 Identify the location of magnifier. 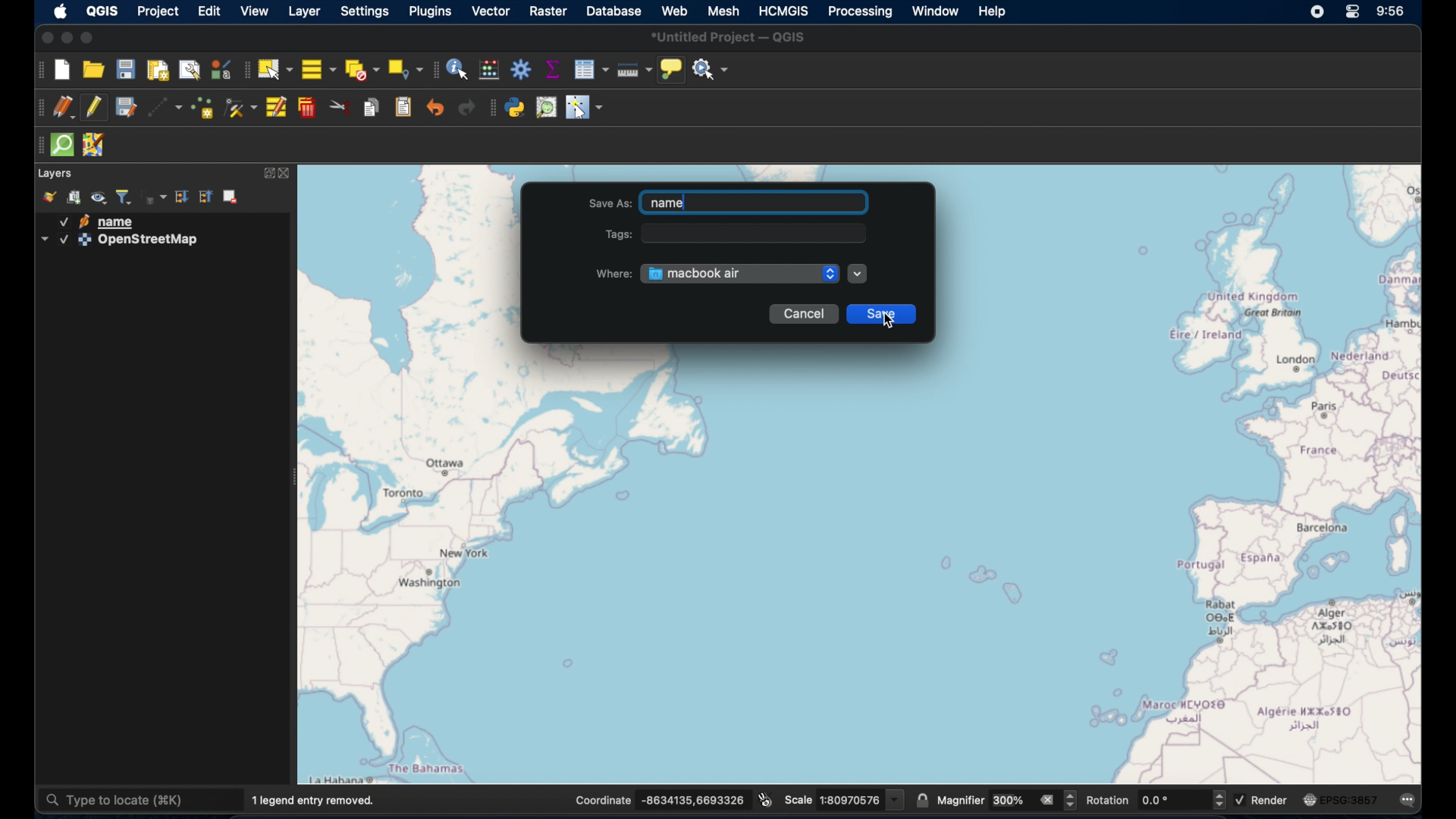
(1008, 799).